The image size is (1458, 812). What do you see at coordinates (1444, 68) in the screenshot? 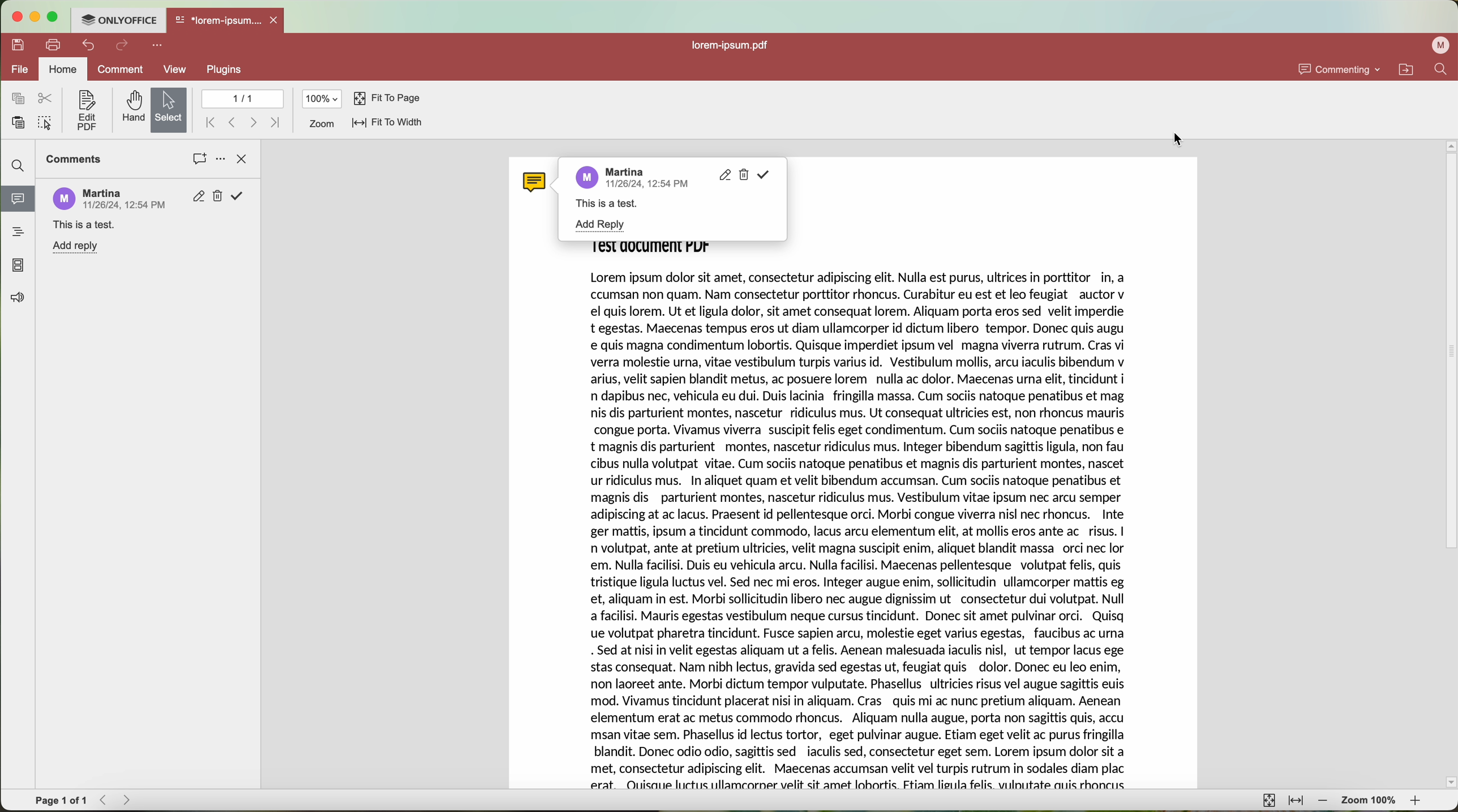
I see `search` at bounding box center [1444, 68].